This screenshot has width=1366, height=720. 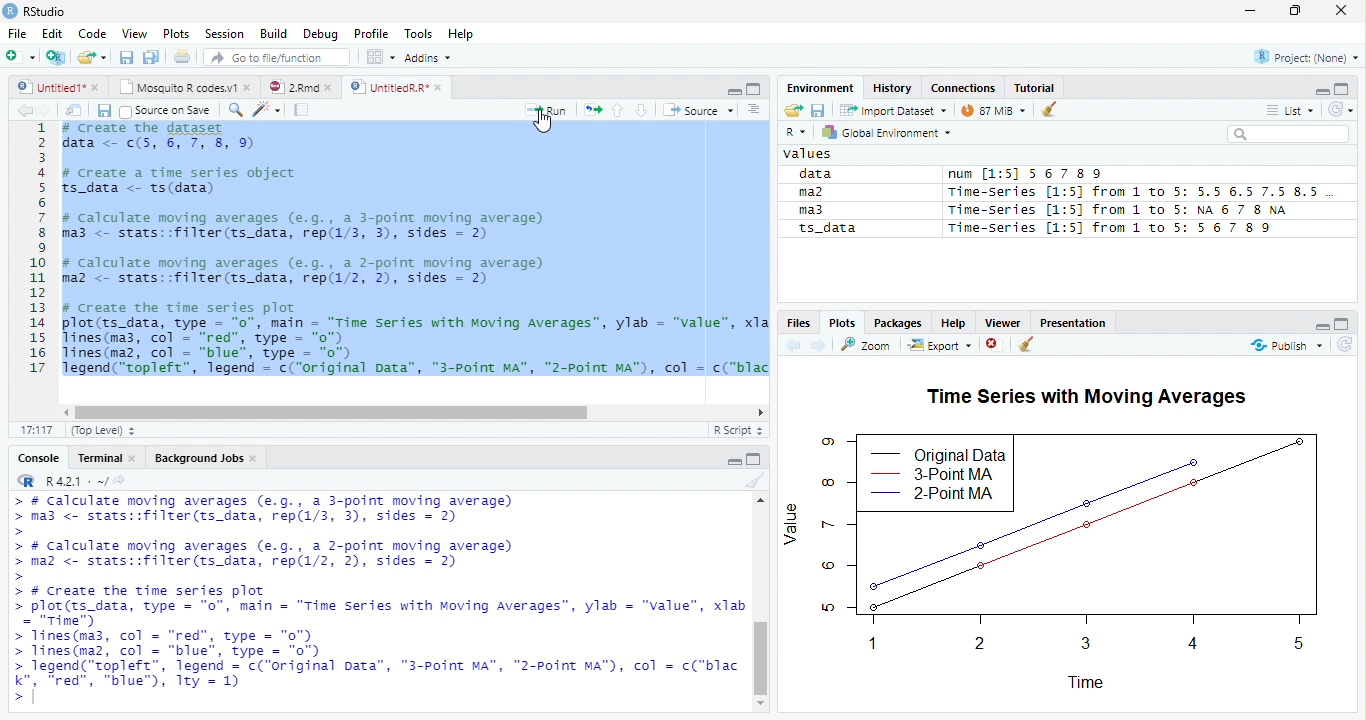 I want to click on Edit, so click(x=52, y=33).